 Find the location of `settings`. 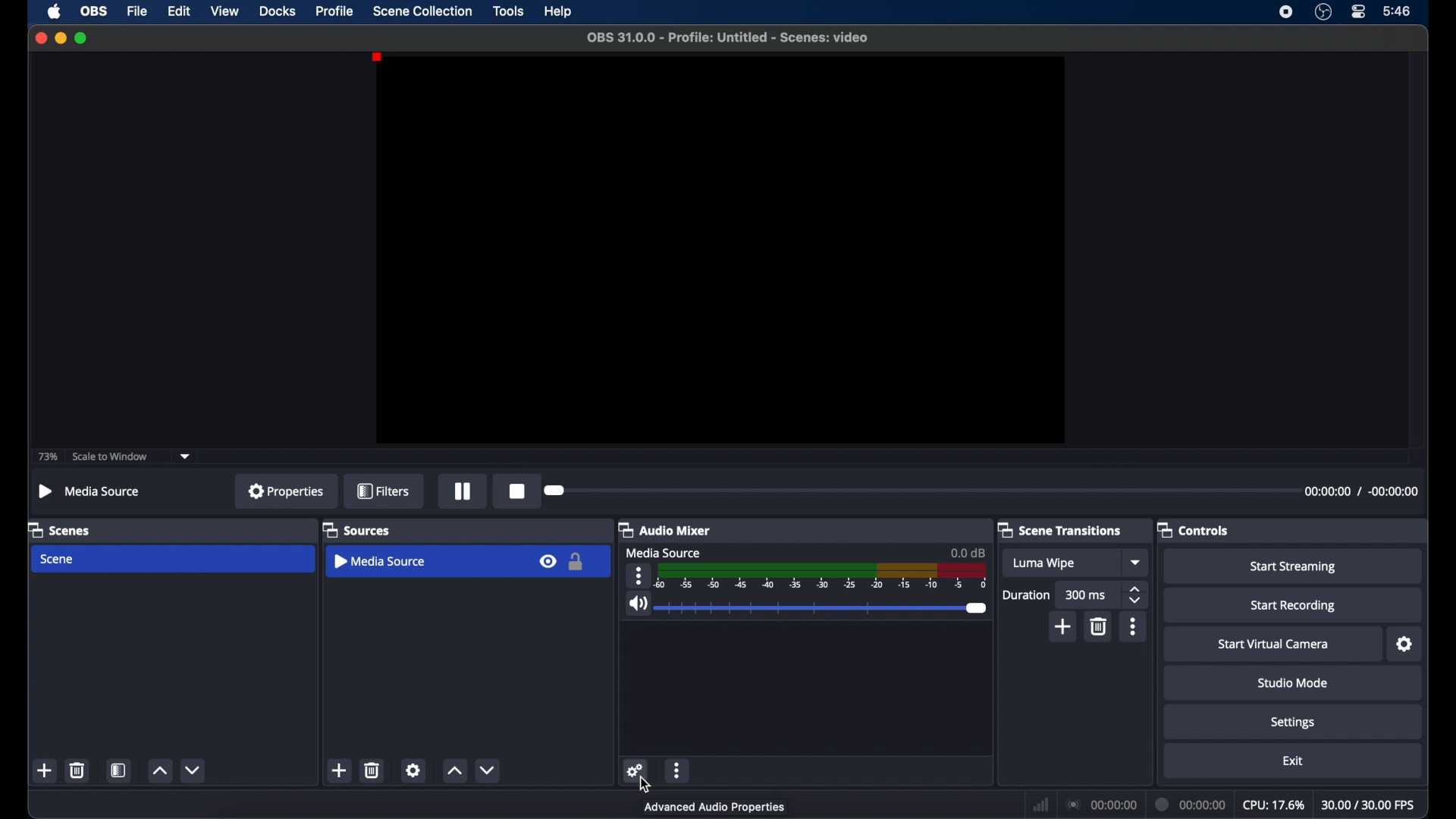

settings is located at coordinates (414, 770).